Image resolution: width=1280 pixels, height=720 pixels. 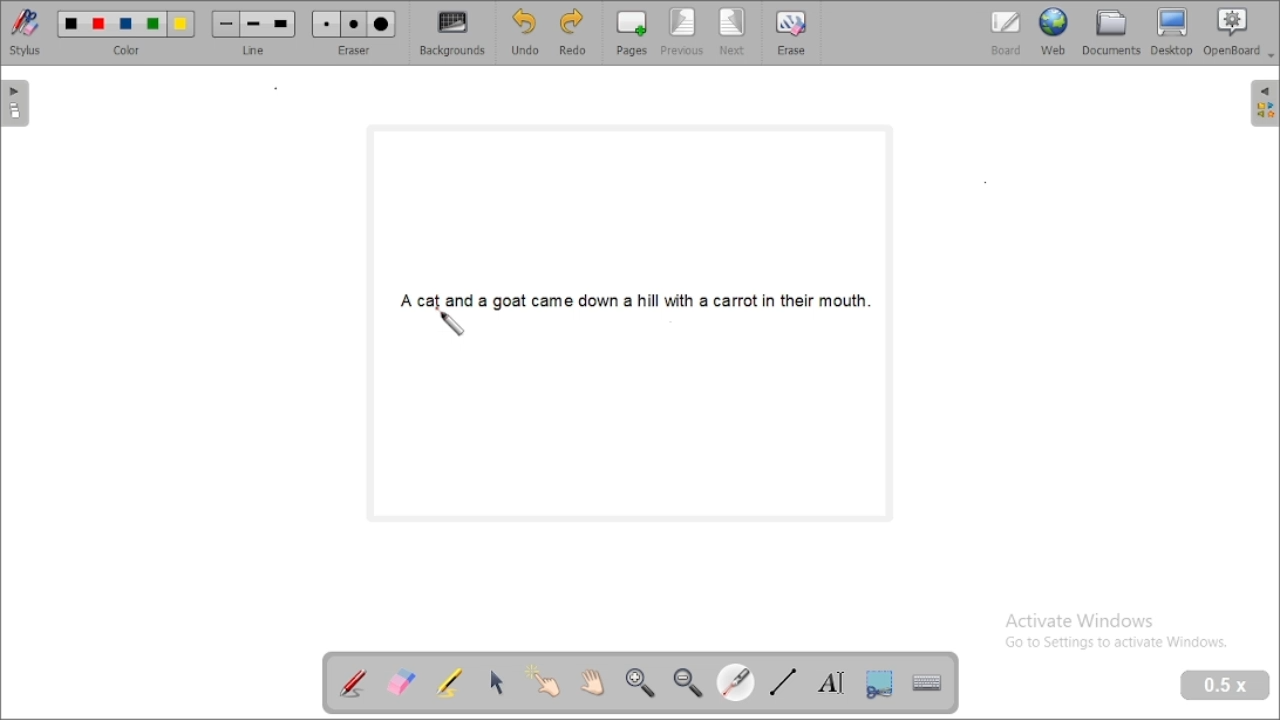 What do you see at coordinates (791, 32) in the screenshot?
I see `erase` at bounding box center [791, 32].